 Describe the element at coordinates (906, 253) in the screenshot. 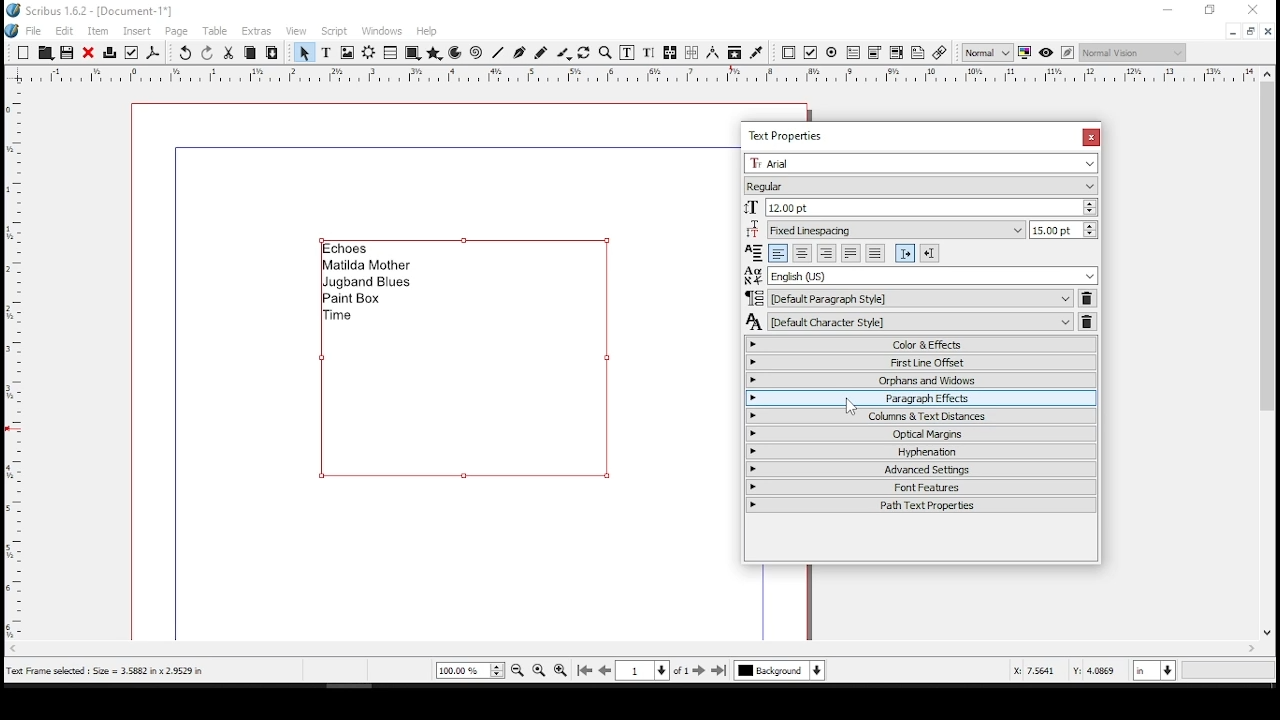

I see `left to right paragraph` at that location.